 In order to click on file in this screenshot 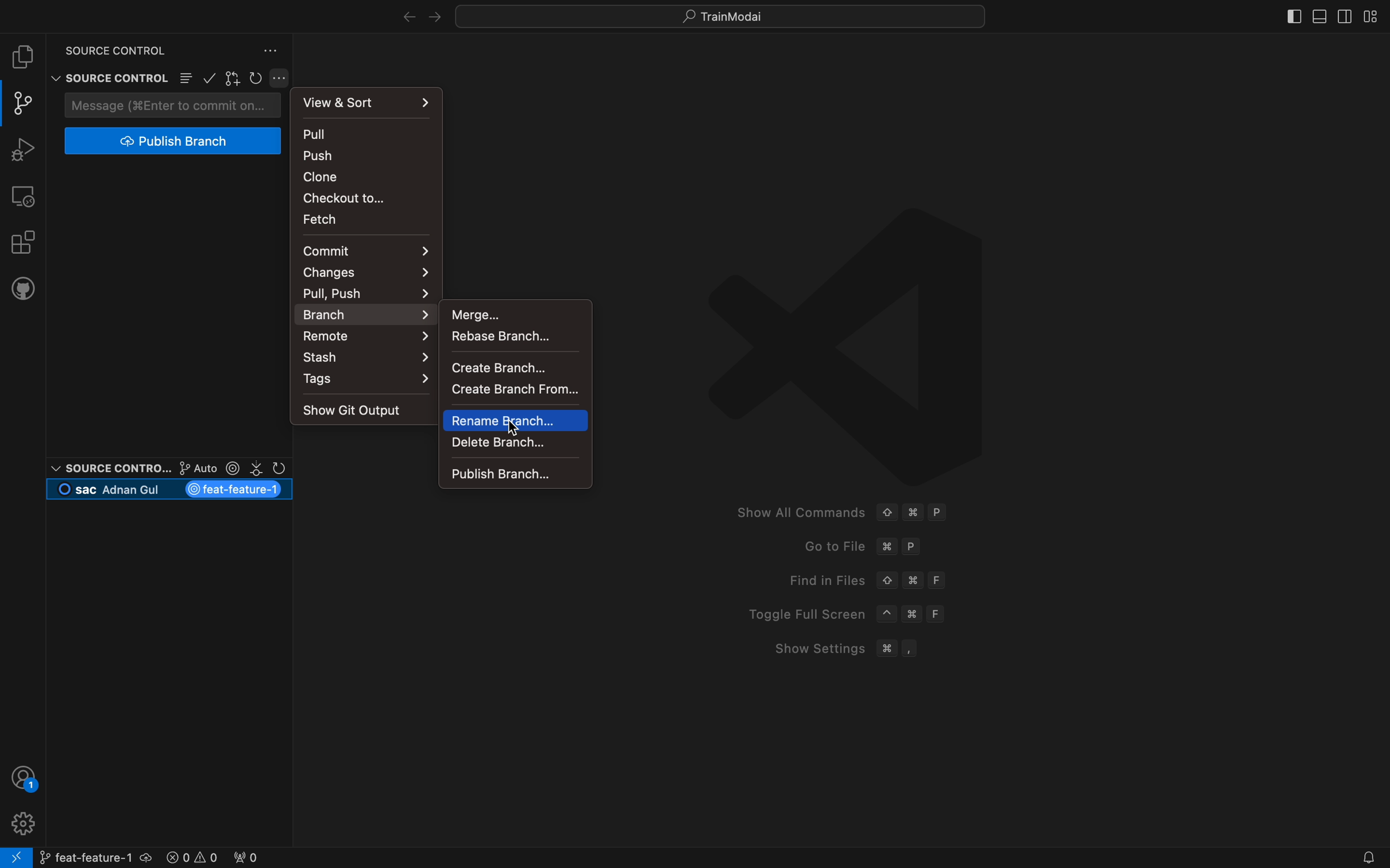, I will do `click(23, 57)`.